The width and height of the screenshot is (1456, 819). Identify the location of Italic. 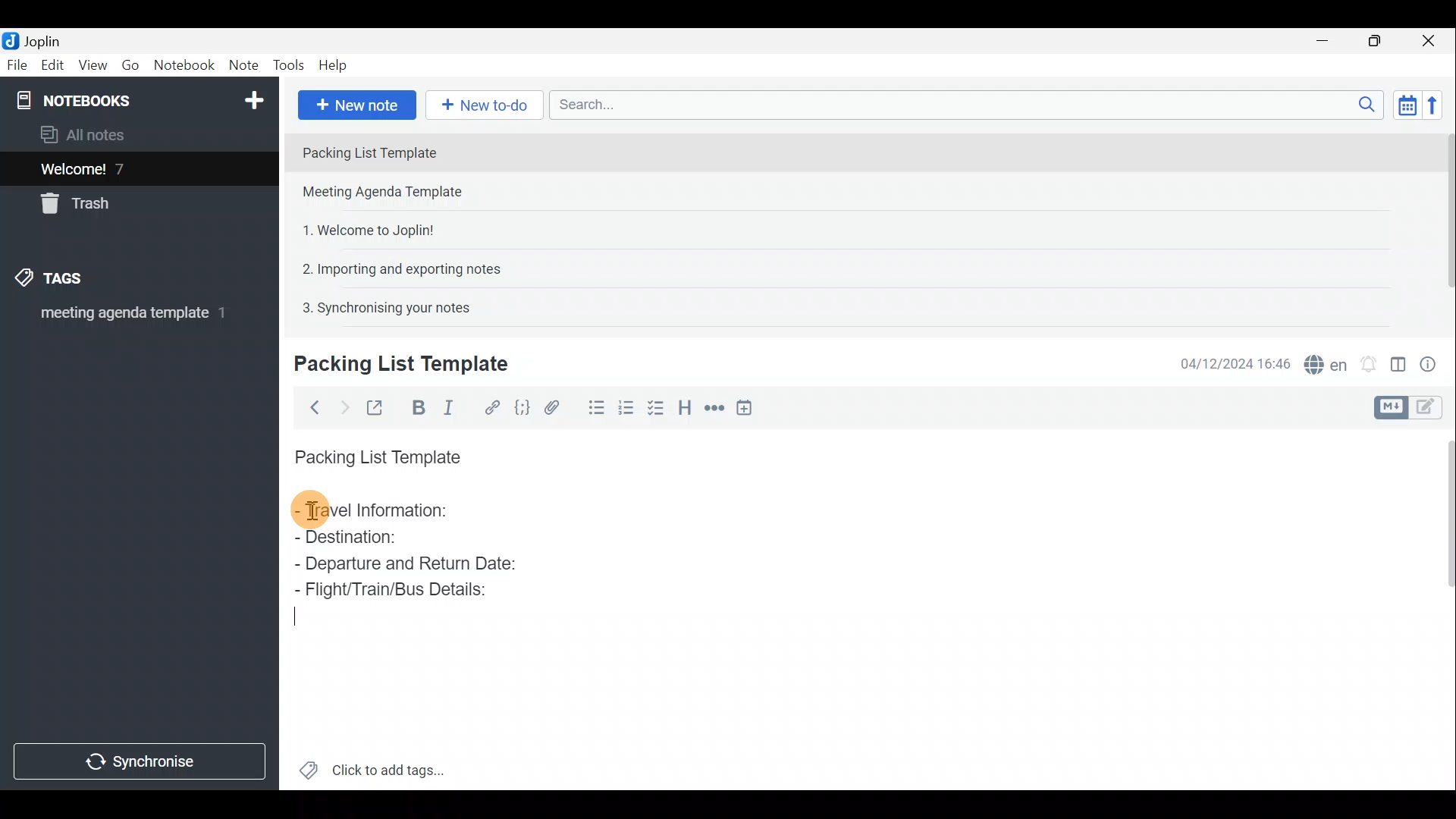
(454, 407).